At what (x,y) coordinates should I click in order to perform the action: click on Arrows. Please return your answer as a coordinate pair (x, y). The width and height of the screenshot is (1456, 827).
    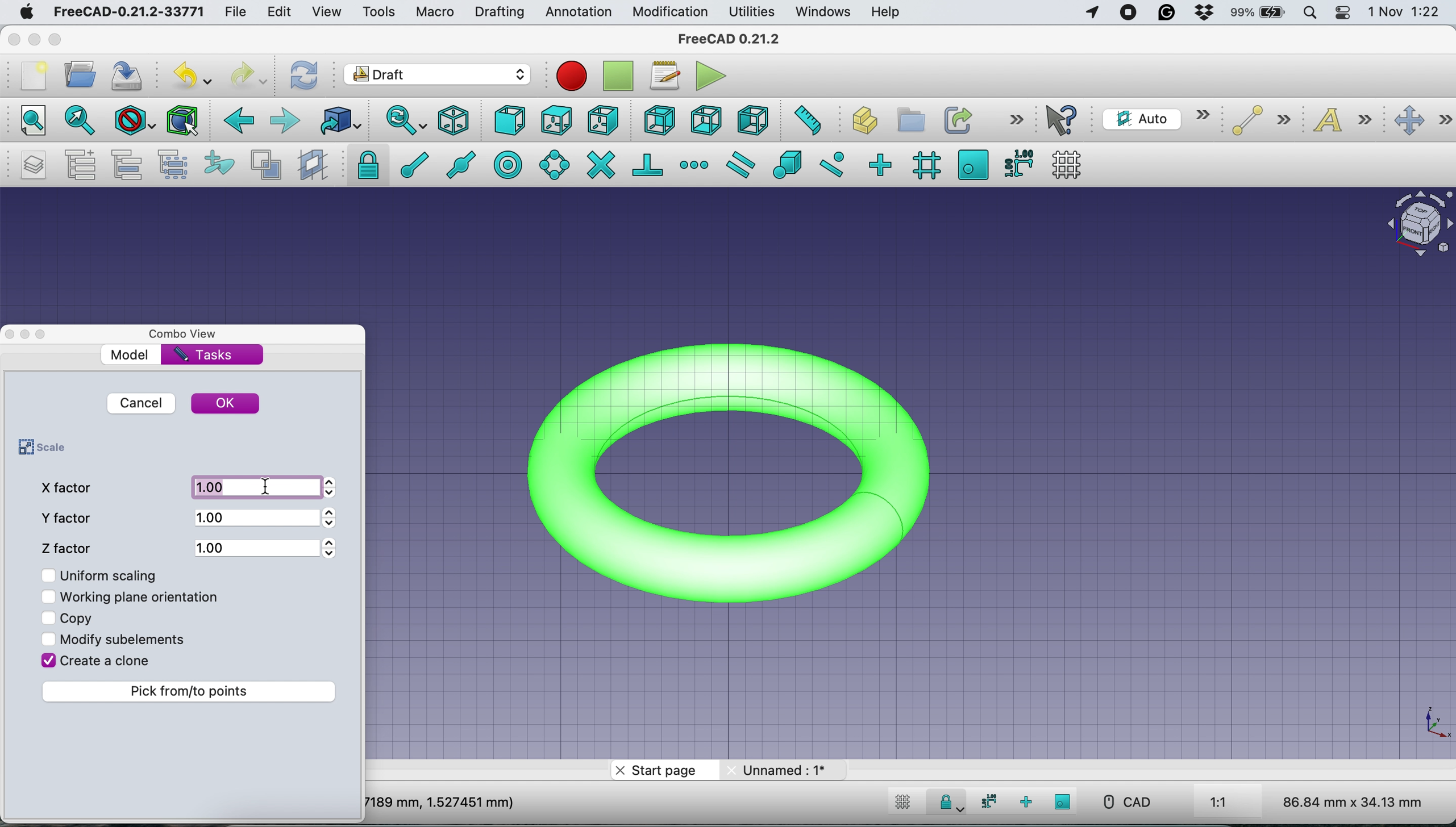
    Looking at the image, I should click on (334, 519).